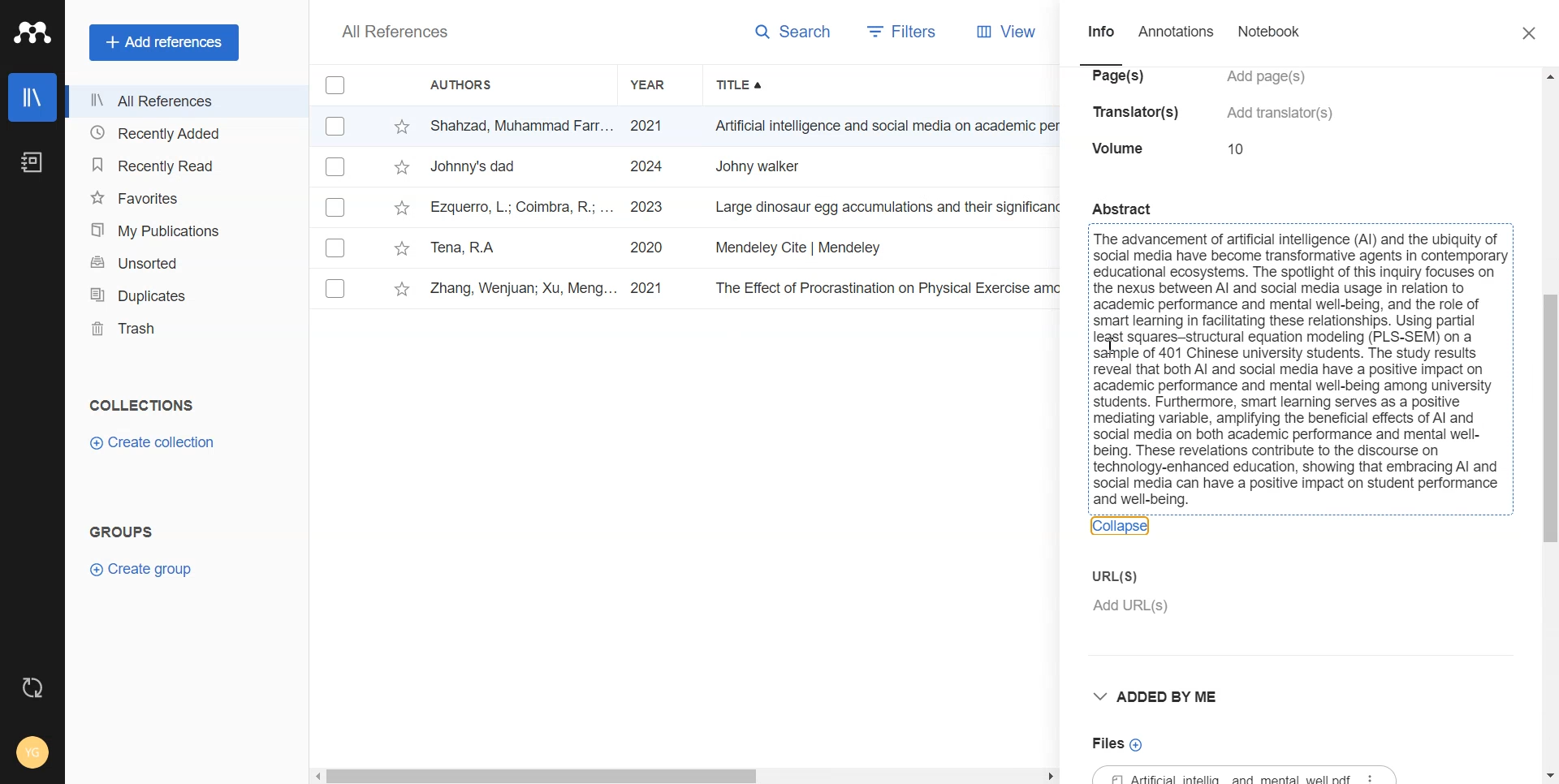  I want to click on translators, so click(1135, 111).